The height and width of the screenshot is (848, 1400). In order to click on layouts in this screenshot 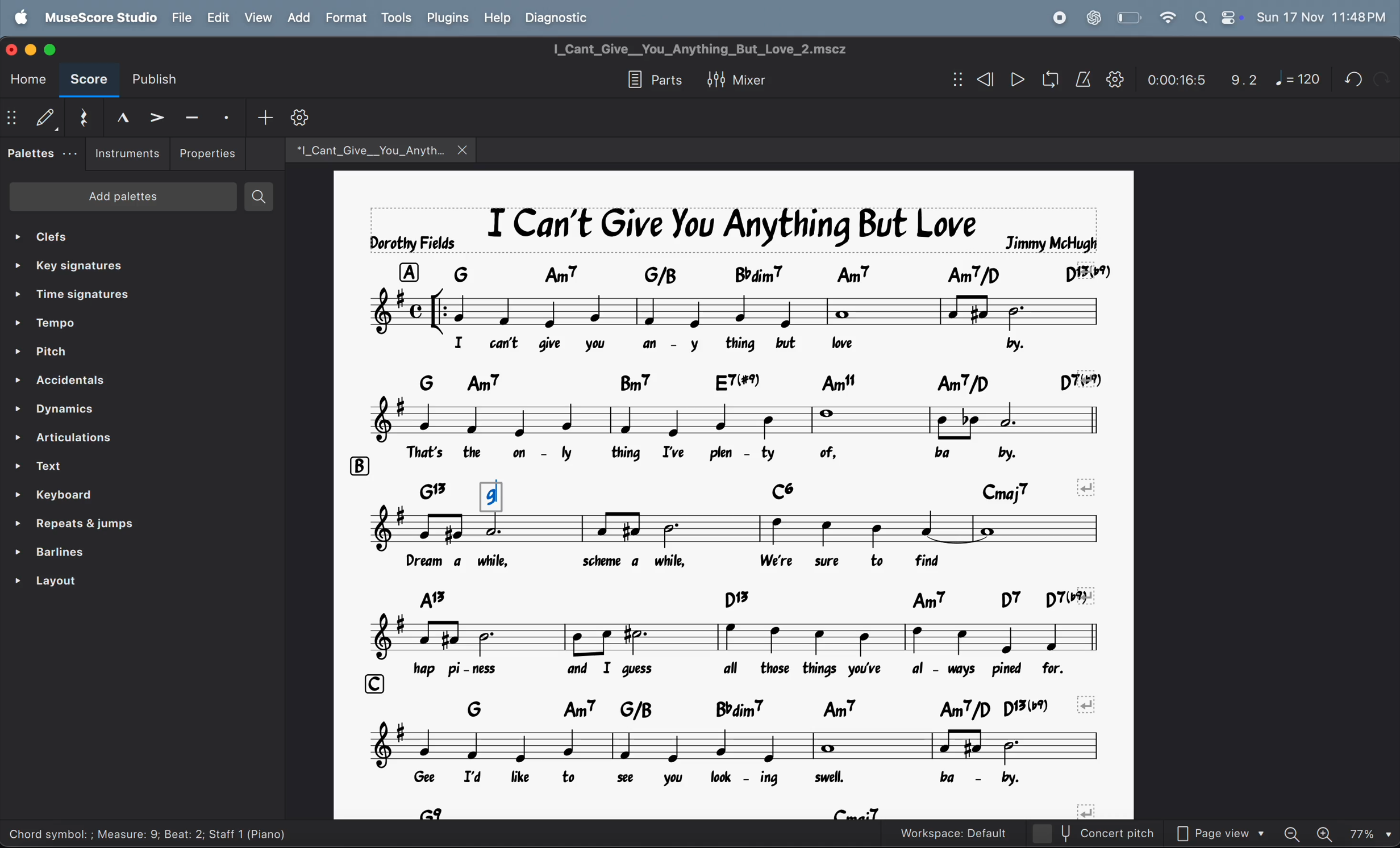, I will do `click(118, 586)`.